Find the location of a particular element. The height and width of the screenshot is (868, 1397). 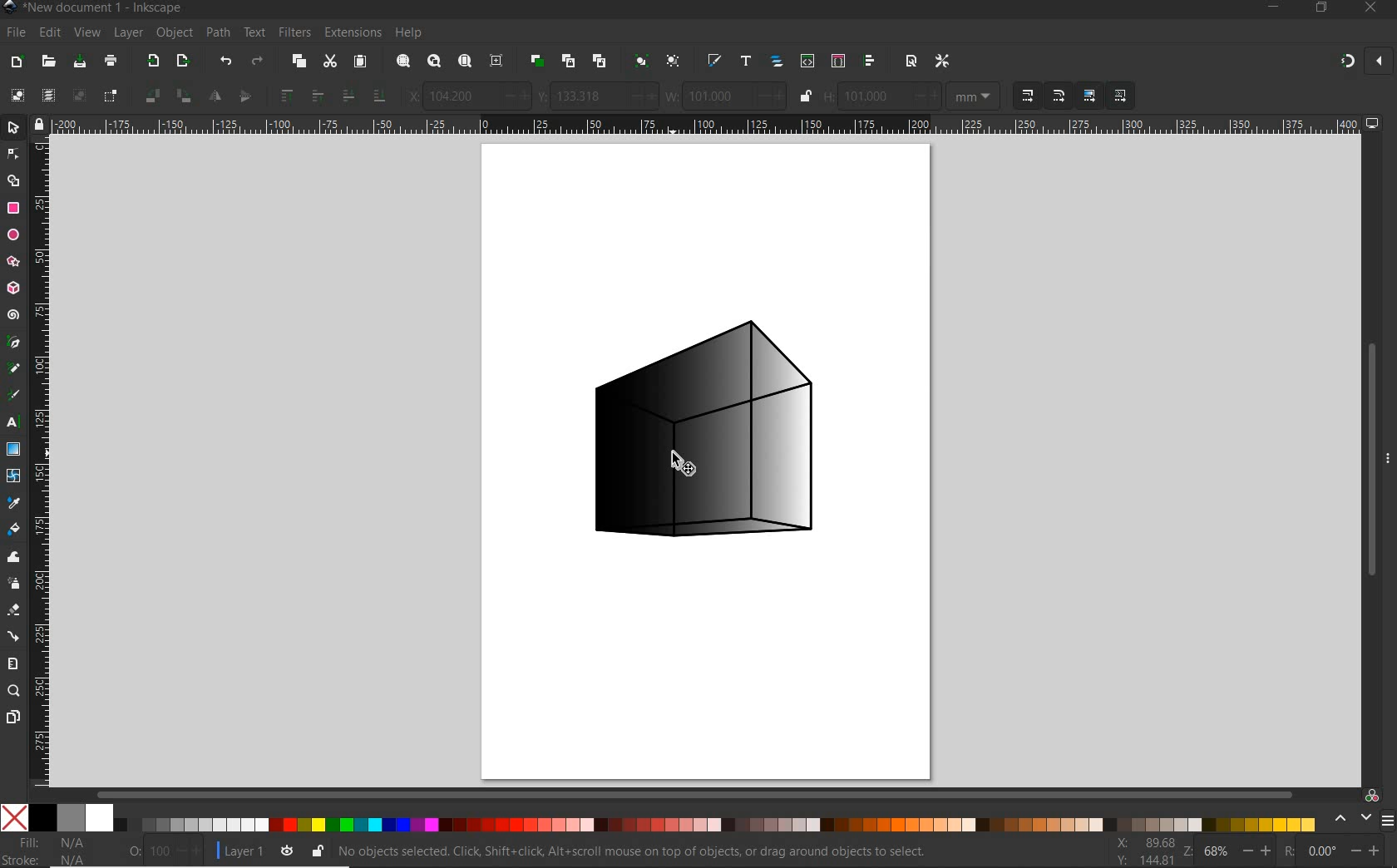

OBJECT ROTATE is located at coordinates (151, 95).